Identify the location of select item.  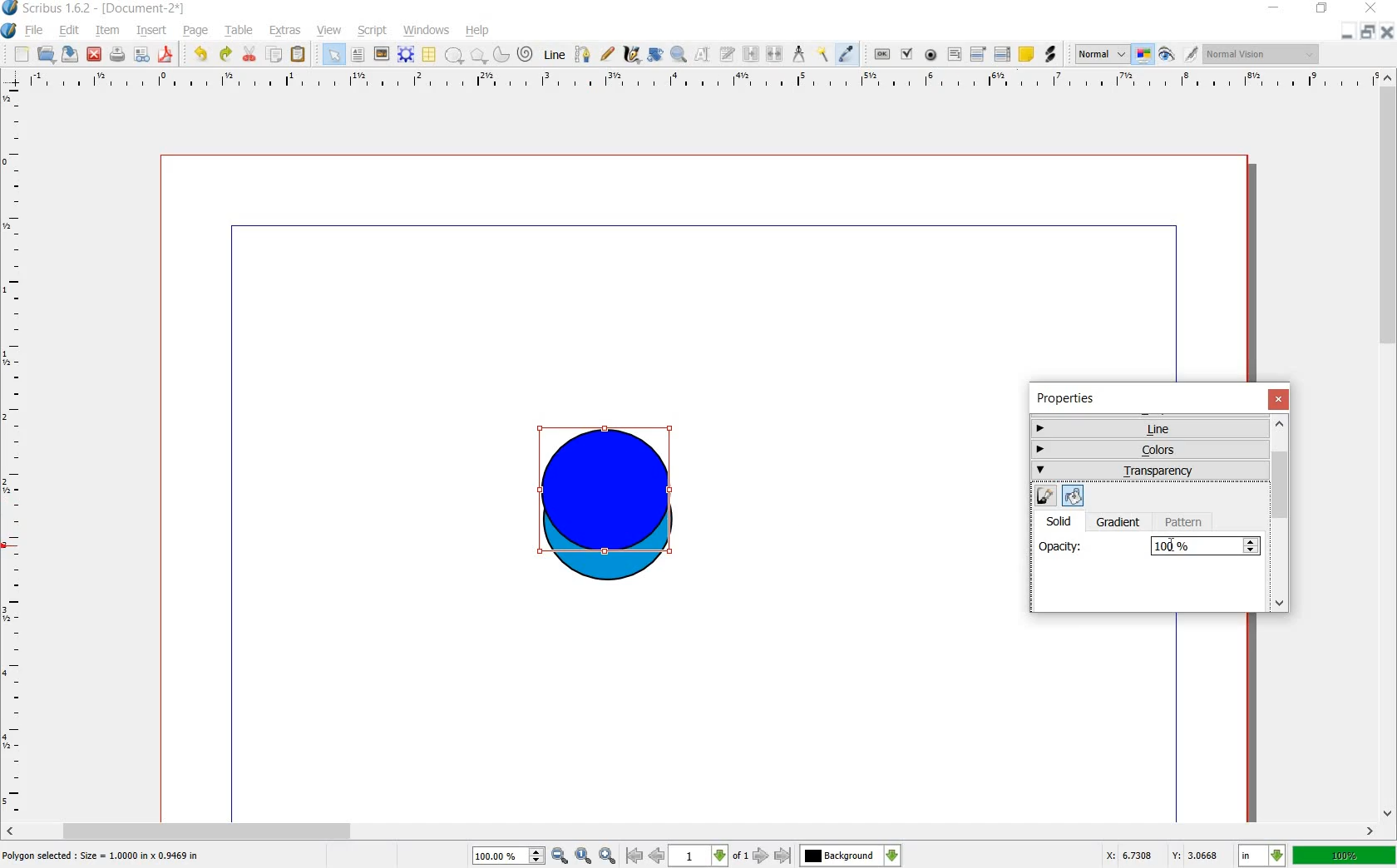
(333, 54).